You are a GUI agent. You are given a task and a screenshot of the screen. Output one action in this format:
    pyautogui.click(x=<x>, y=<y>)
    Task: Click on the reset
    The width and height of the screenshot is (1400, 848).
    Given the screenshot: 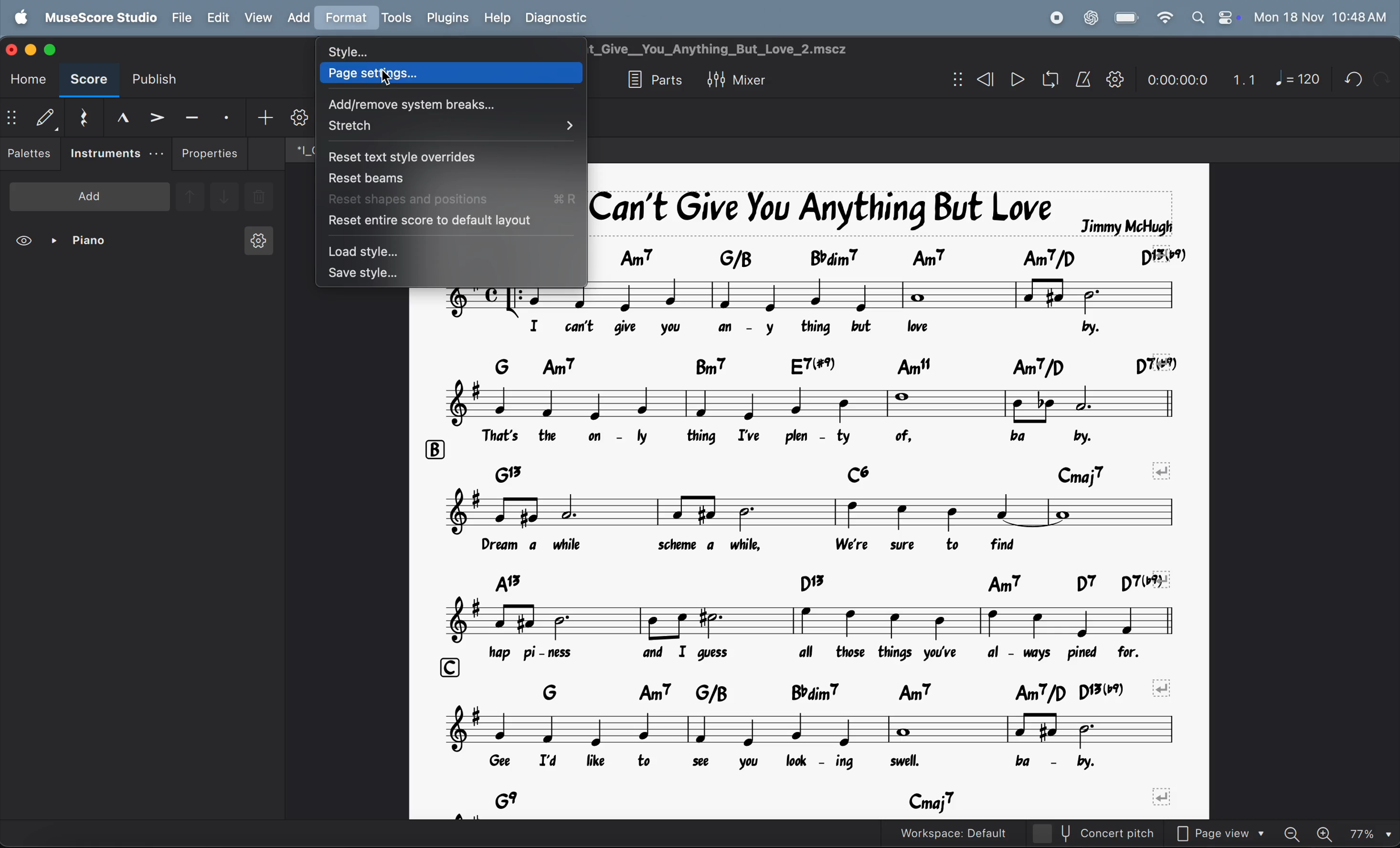 What is the action you would take?
    pyautogui.click(x=82, y=115)
    